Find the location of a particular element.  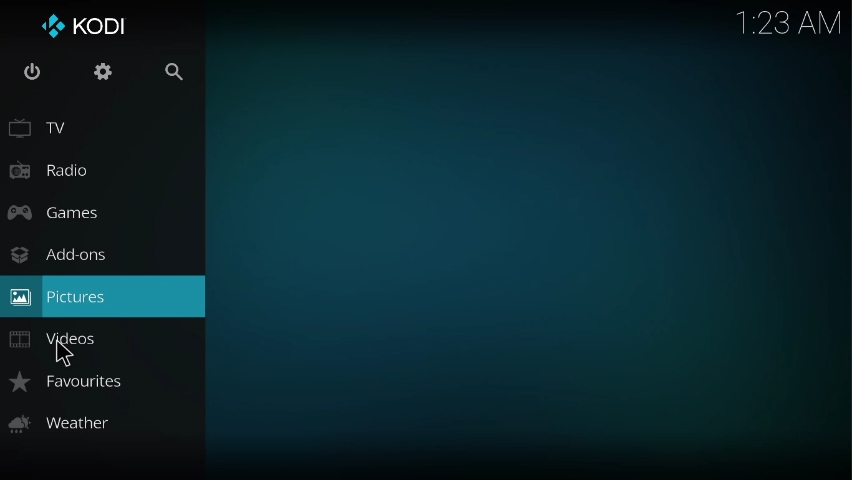

add-ons is located at coordinates (57, 255).